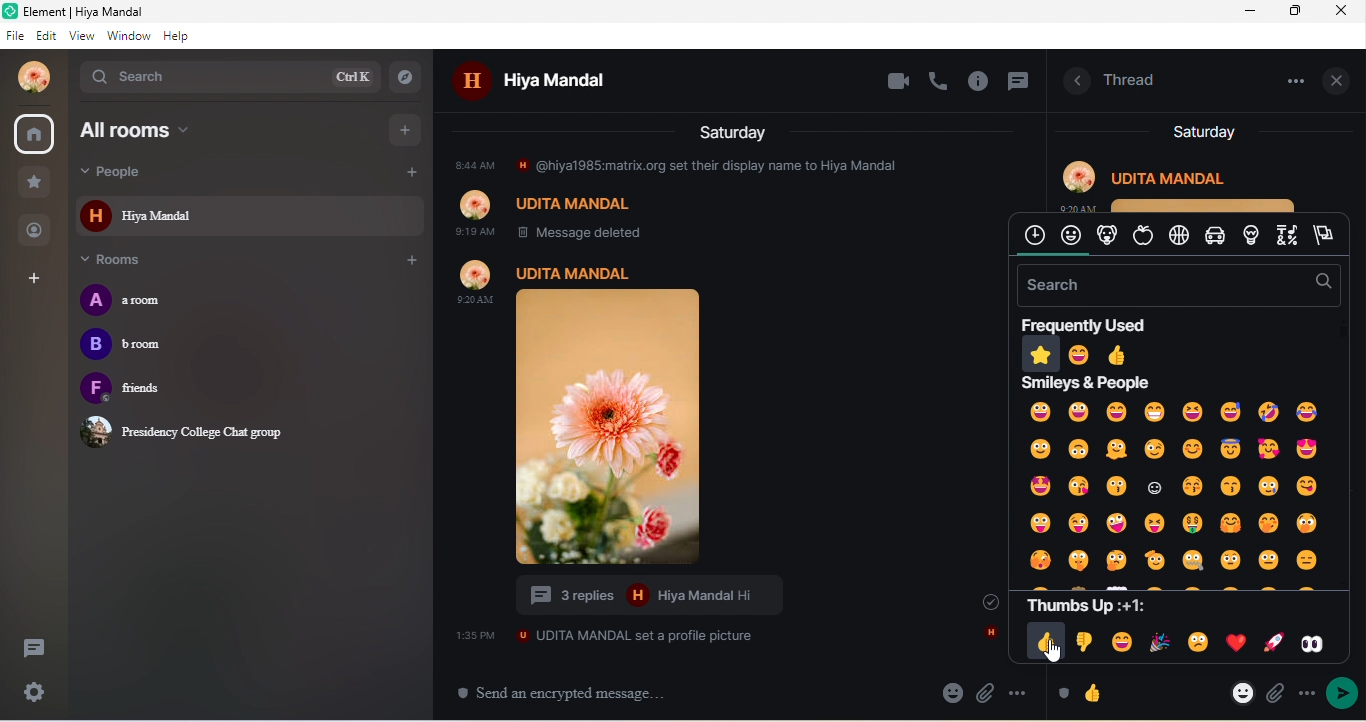 This screenshot has height=722, width=1366. I want to click on send button, so click(1343, 694).